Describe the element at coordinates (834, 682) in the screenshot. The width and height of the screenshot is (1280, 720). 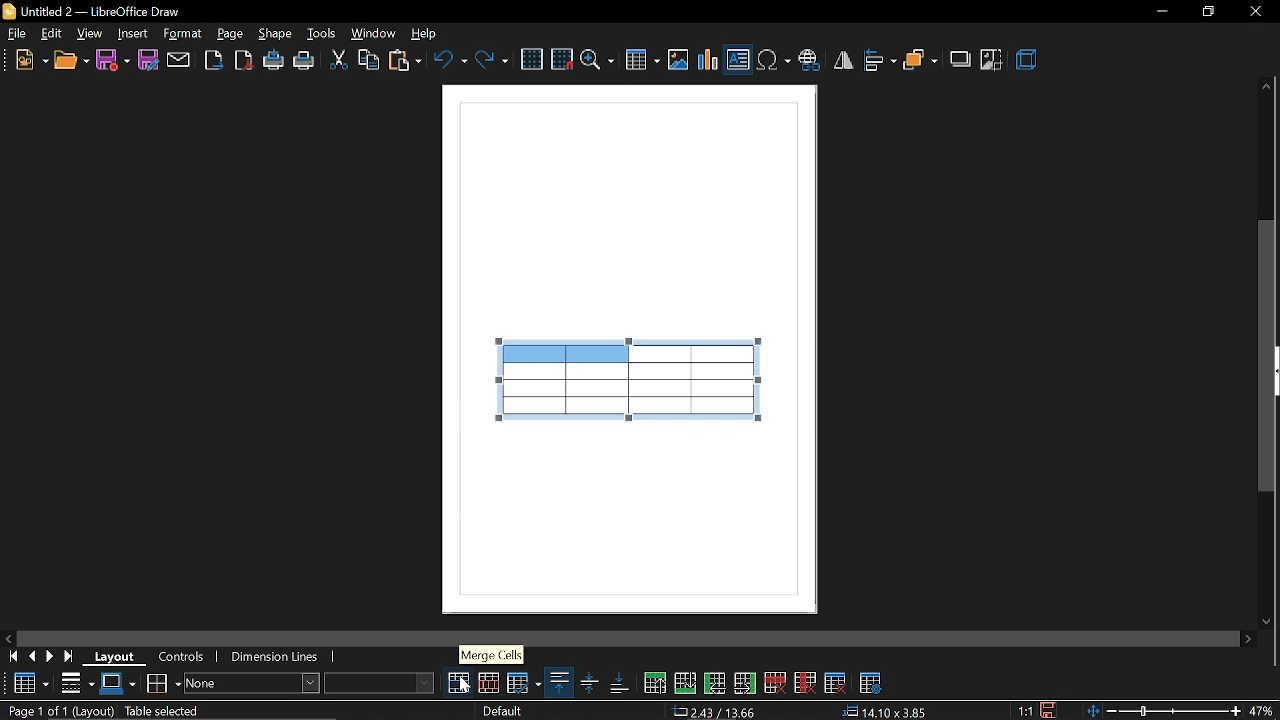
I see `delete table` at that location.